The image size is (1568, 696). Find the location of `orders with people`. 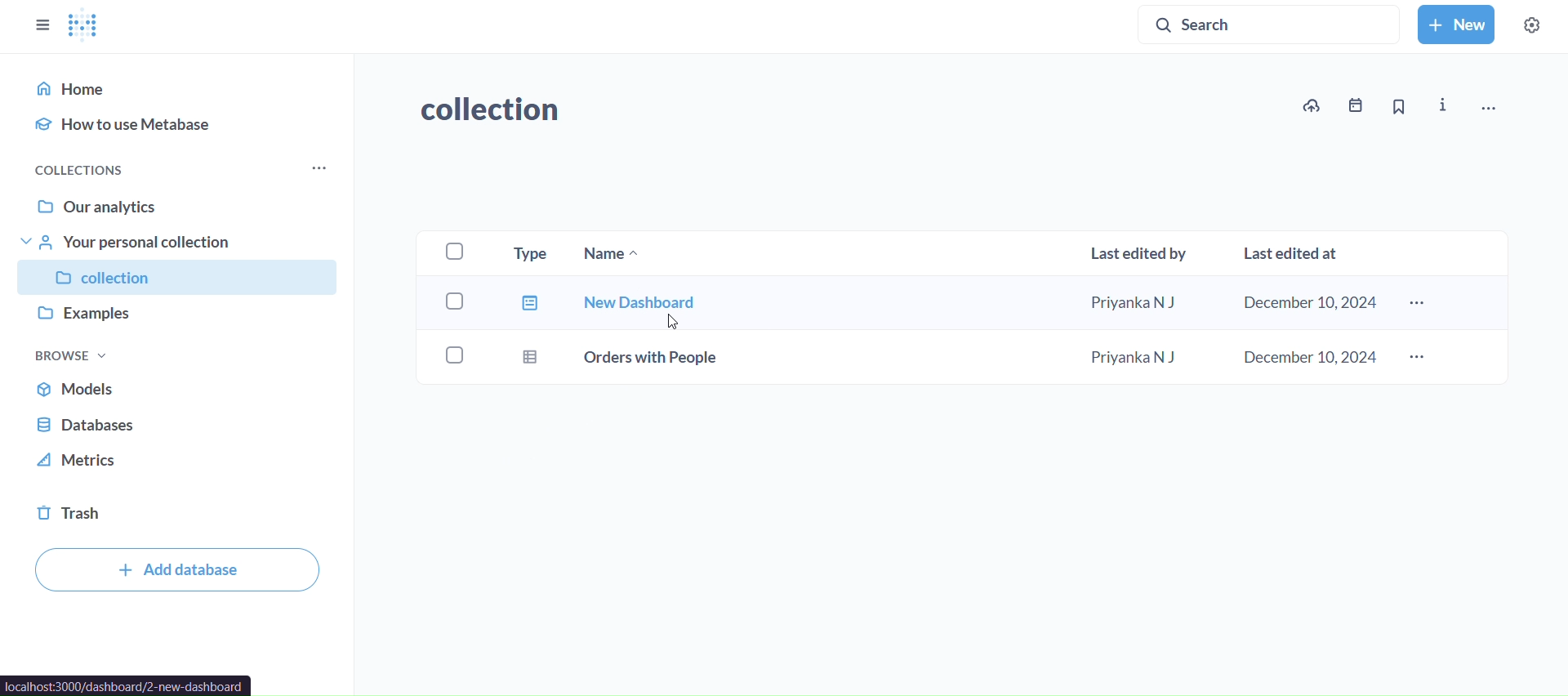

orders with people is located at coordinates (622, 359).